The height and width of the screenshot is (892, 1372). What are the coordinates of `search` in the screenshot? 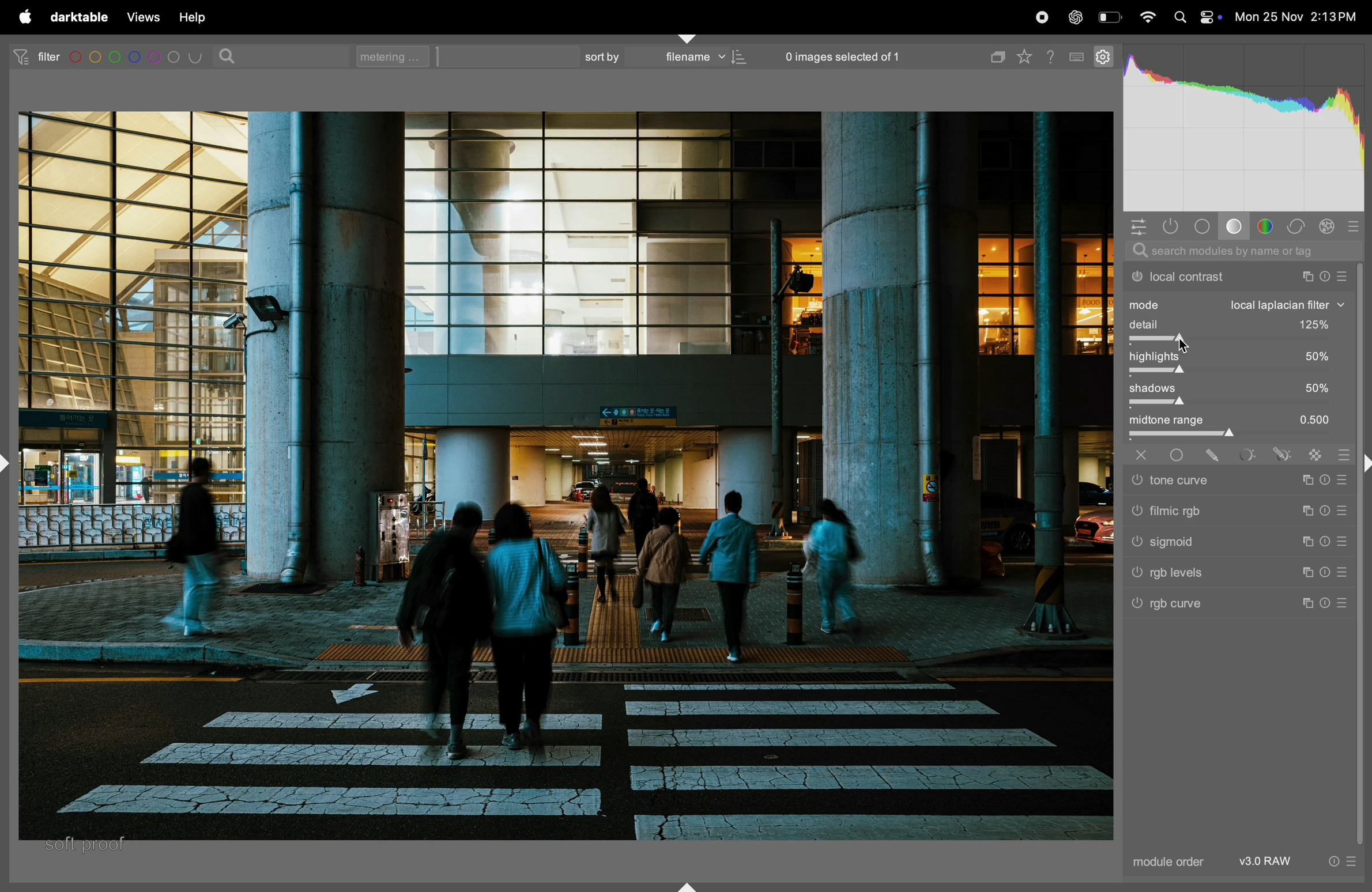 It's located at (1237, 253).